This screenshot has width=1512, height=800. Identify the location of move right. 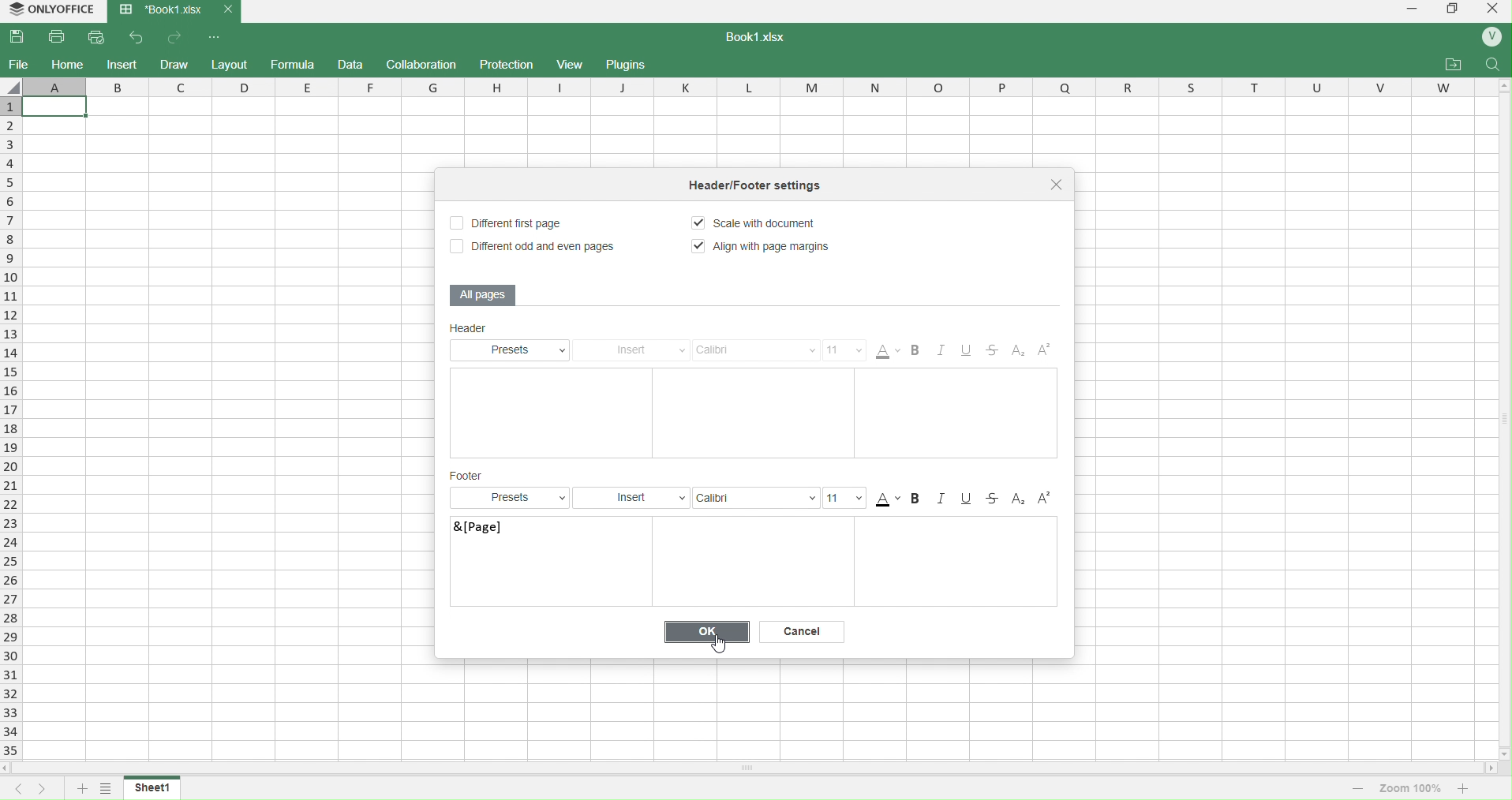
(1491, 769).